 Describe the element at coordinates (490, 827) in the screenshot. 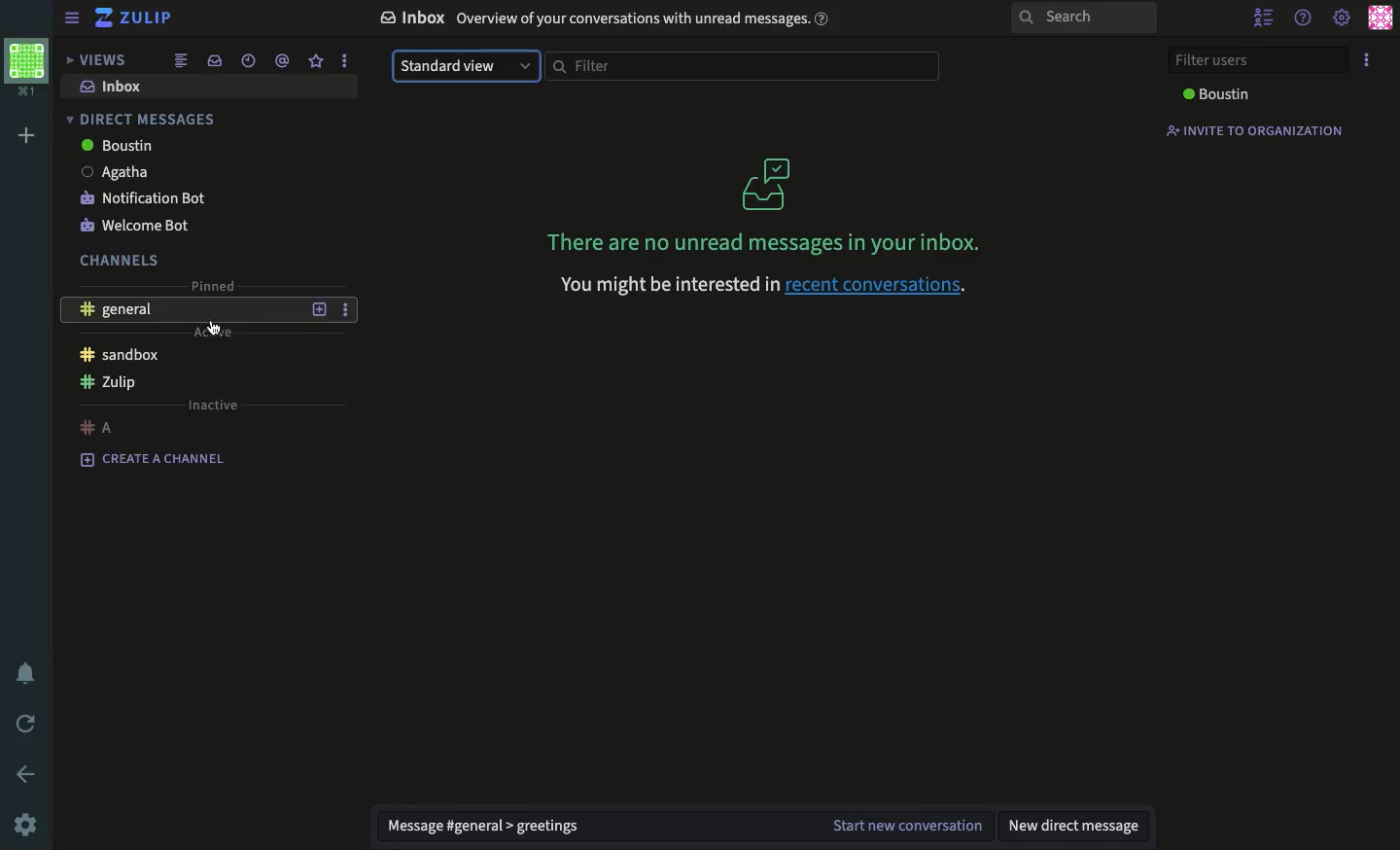

I see `Message #general > greetings` at that location.